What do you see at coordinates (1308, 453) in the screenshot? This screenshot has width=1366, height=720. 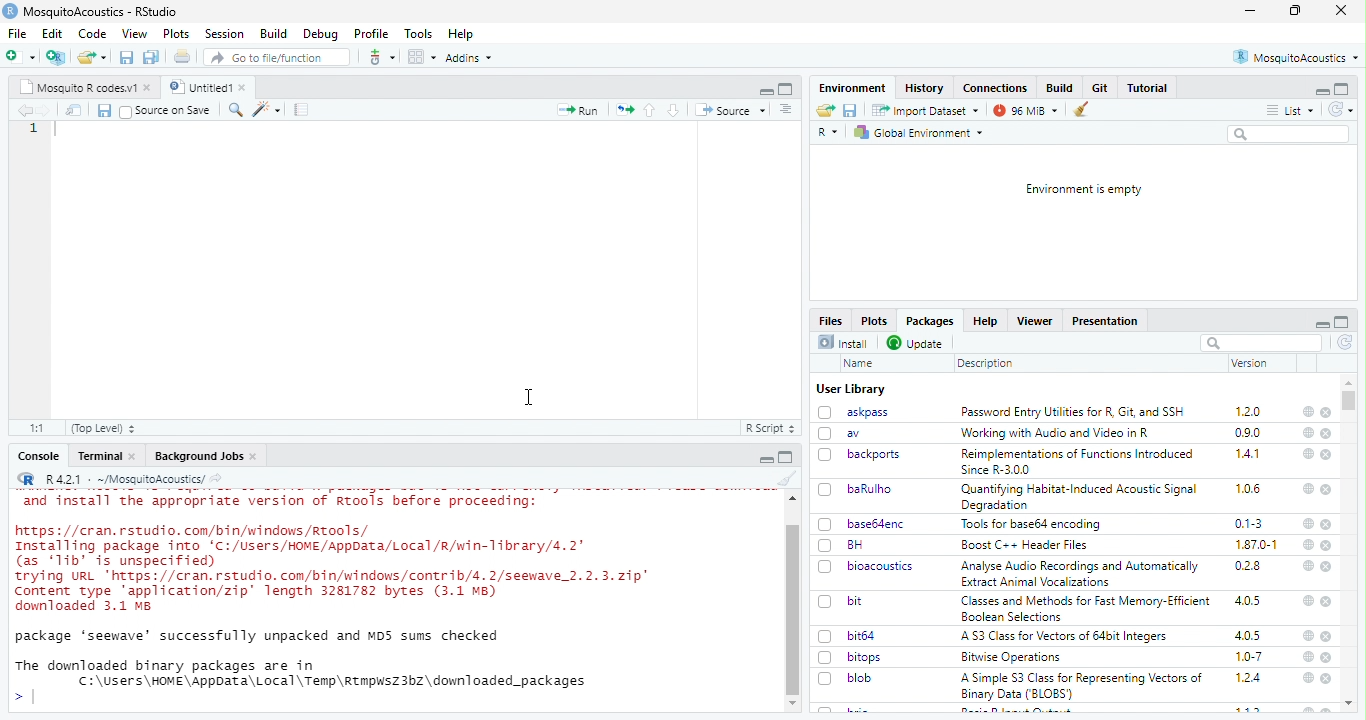 I see `web` at bounding box center [1308, 453].